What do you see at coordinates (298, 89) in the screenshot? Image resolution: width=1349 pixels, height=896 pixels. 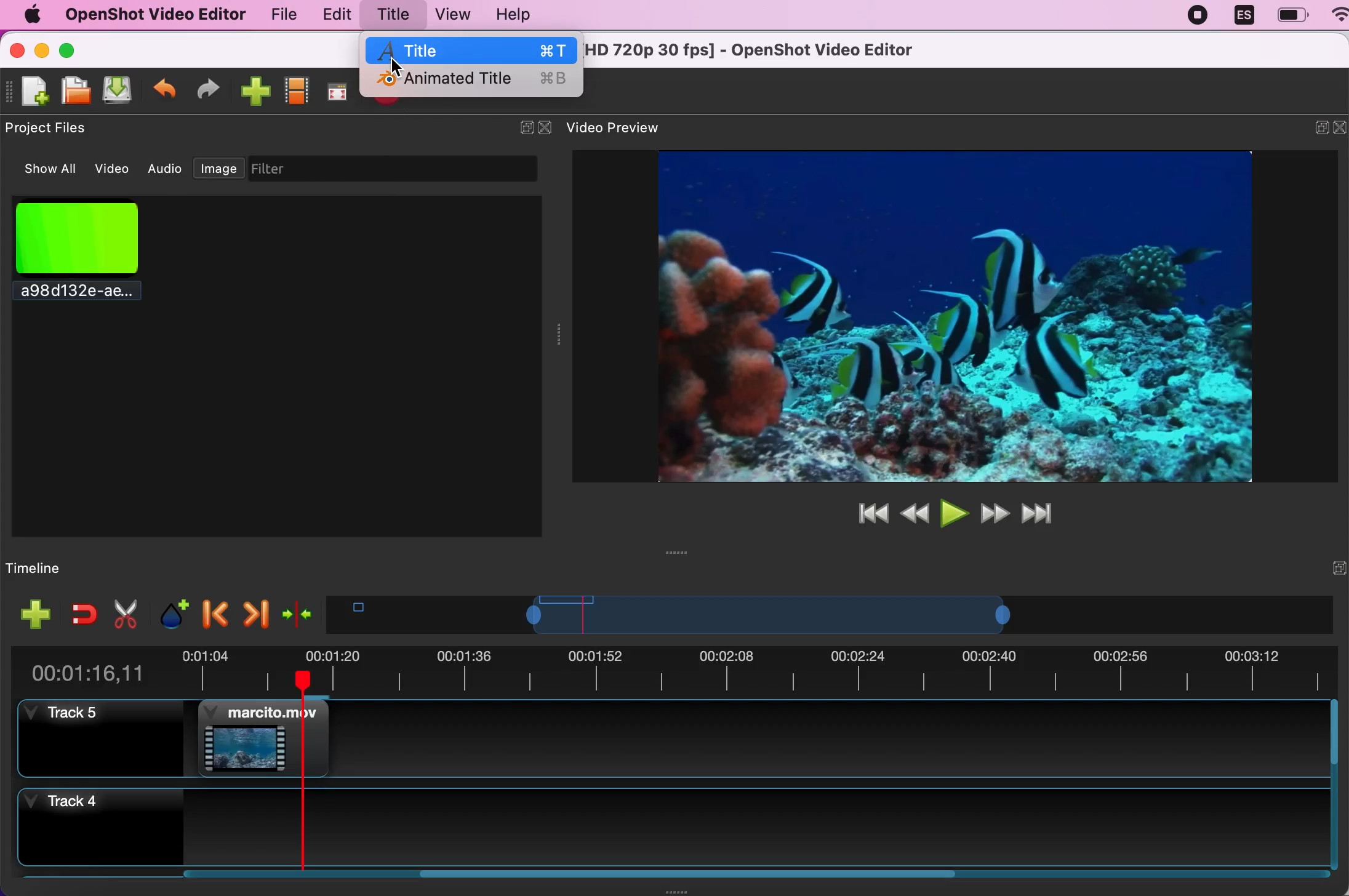 I see `choose profile` at bounding box center [298, 89].